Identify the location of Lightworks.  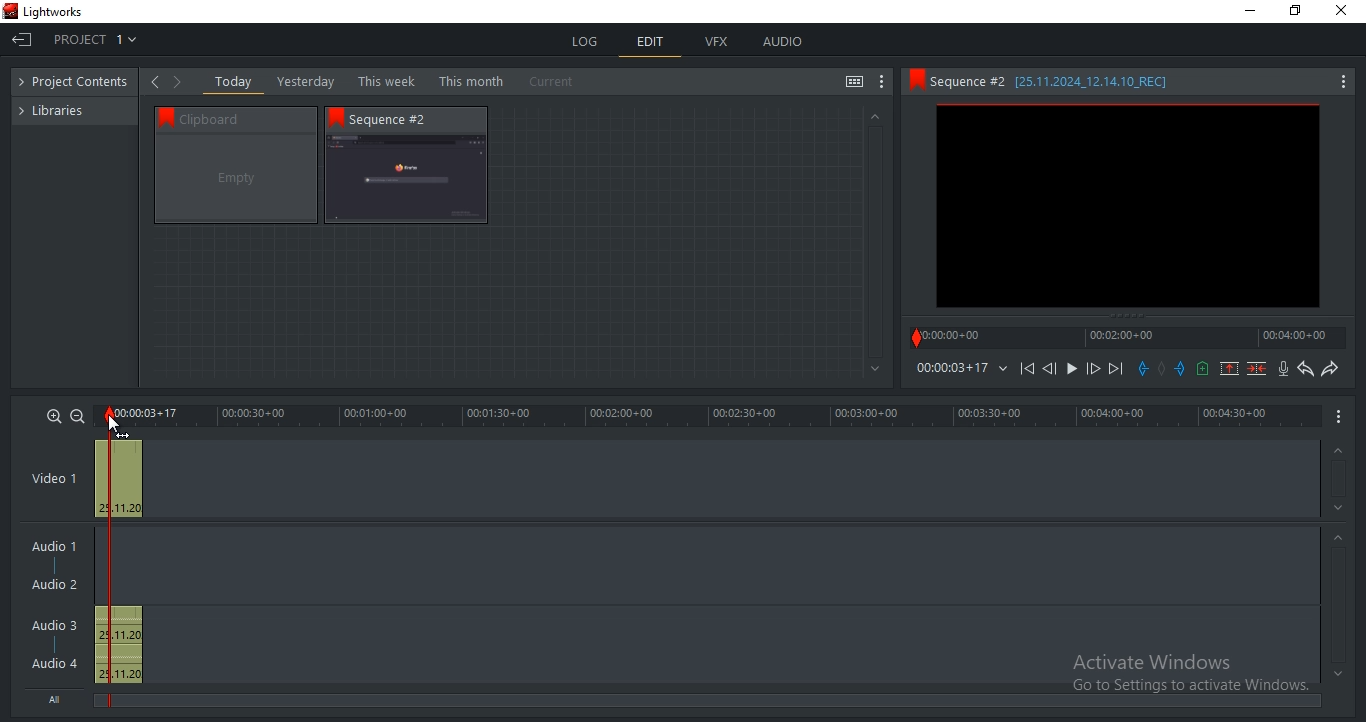
(74, 177).